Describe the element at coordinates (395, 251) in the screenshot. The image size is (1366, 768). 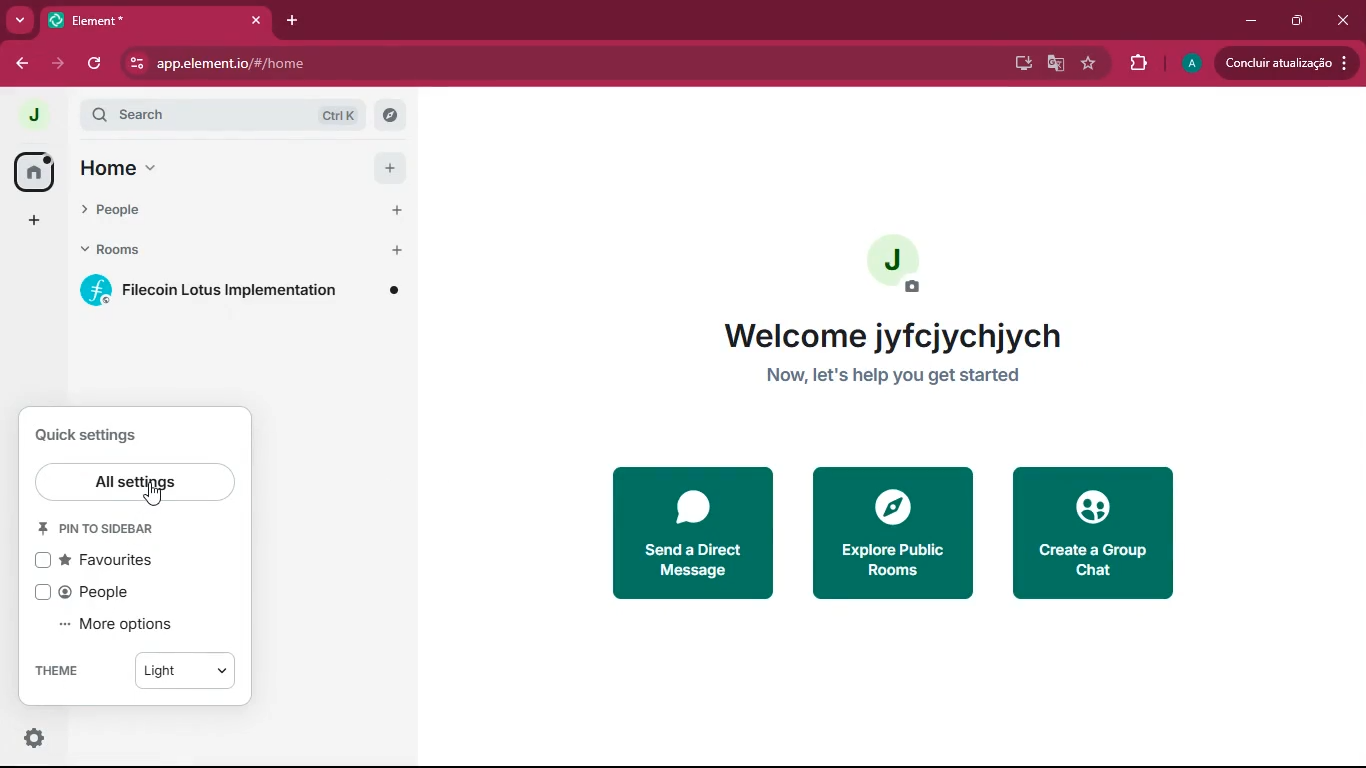
I see `Add` at that location.